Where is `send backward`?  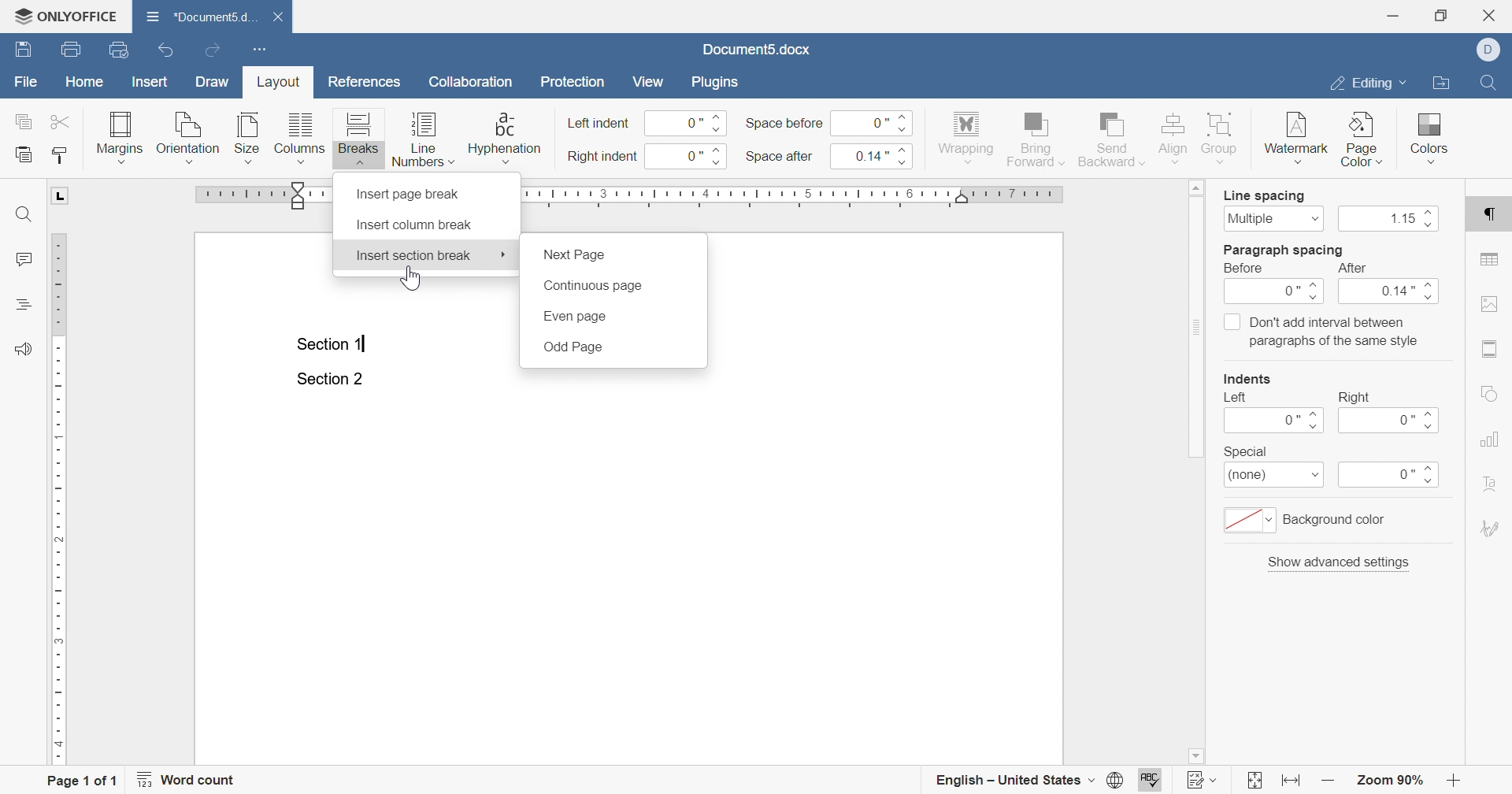 send backward is located at coordinates (1113, 137).